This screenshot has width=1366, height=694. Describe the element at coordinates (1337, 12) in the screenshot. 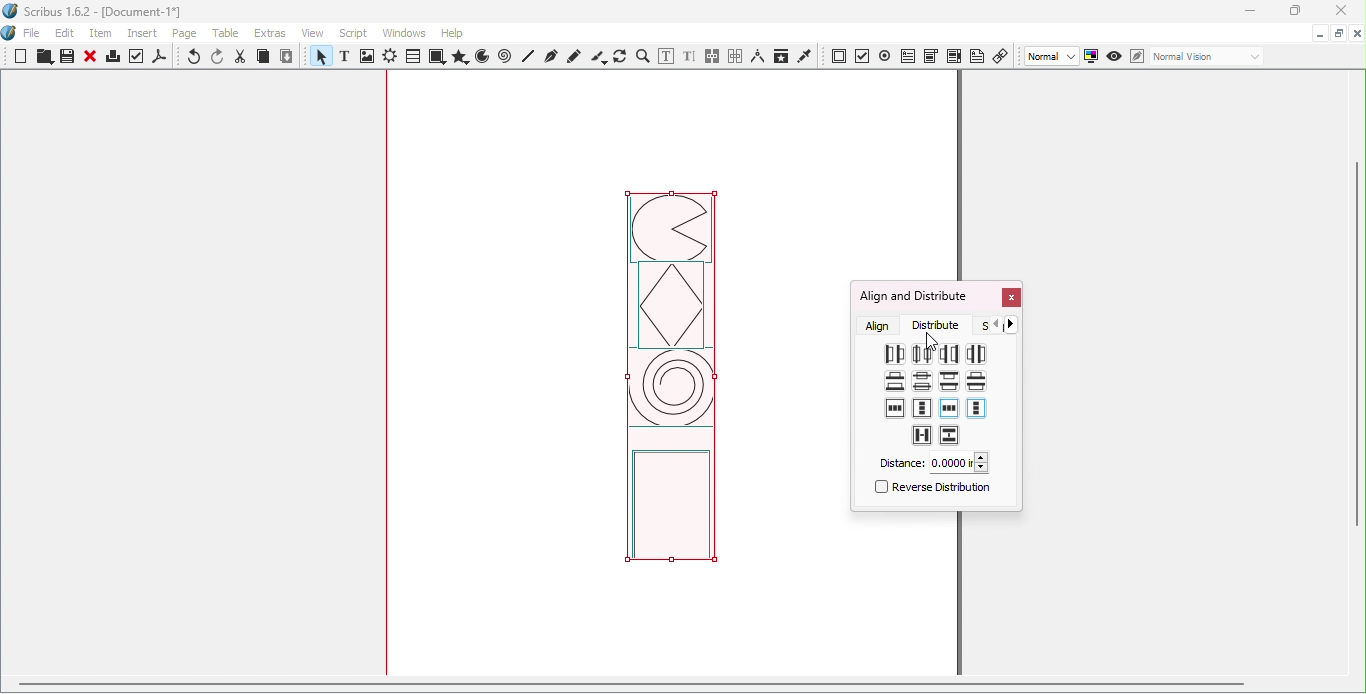

I see `Close` at that location.